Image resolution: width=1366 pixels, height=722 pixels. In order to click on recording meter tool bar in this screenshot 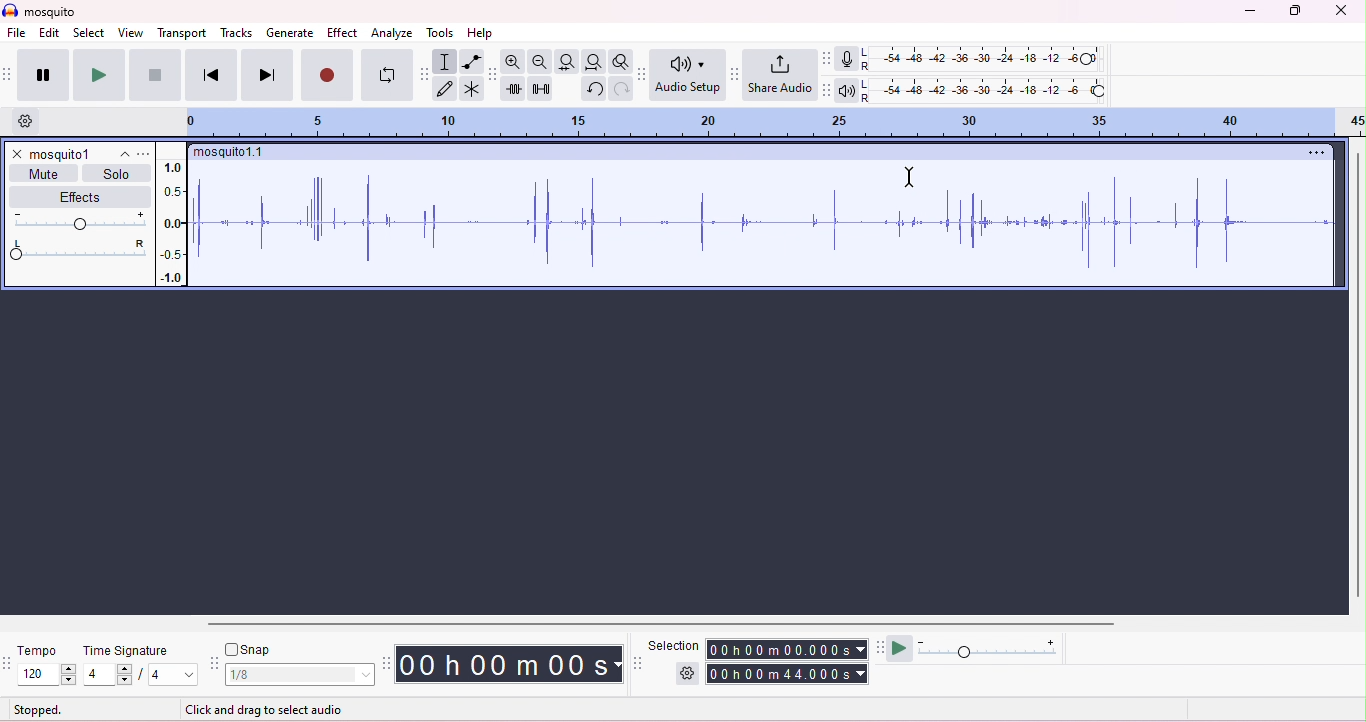, I will do `click(825, 58)`.